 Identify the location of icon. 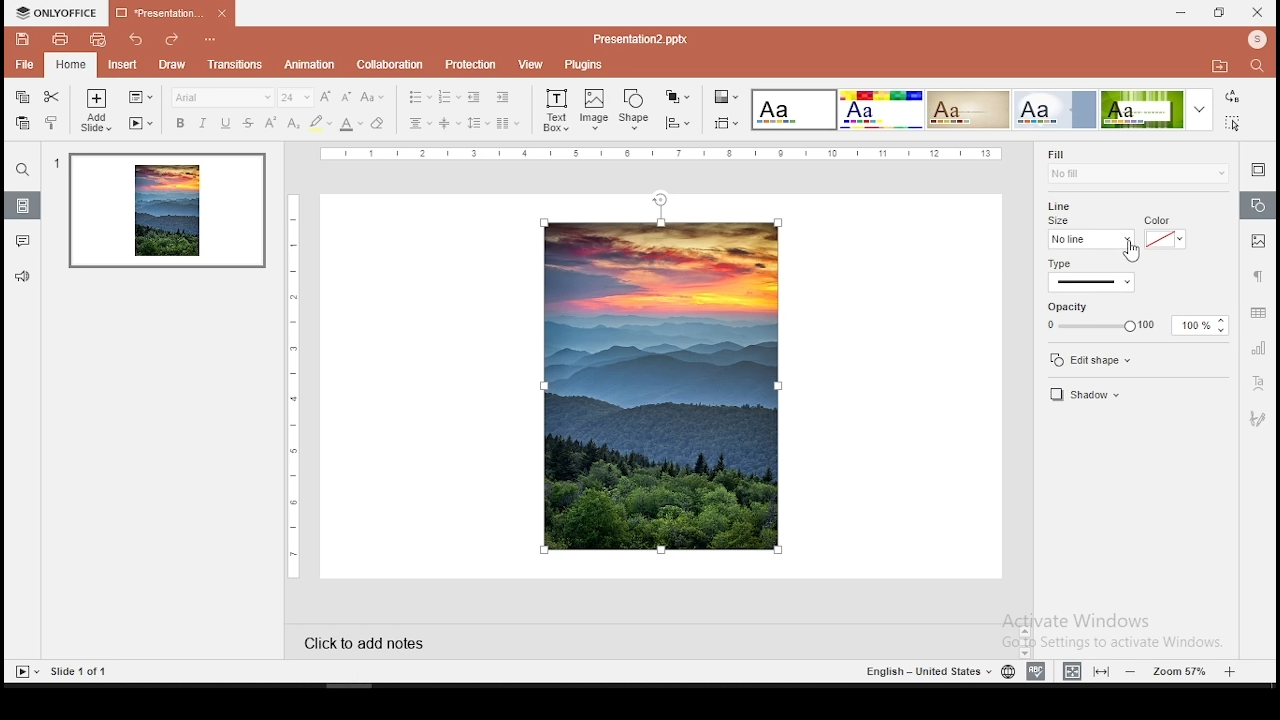
(55, 12).